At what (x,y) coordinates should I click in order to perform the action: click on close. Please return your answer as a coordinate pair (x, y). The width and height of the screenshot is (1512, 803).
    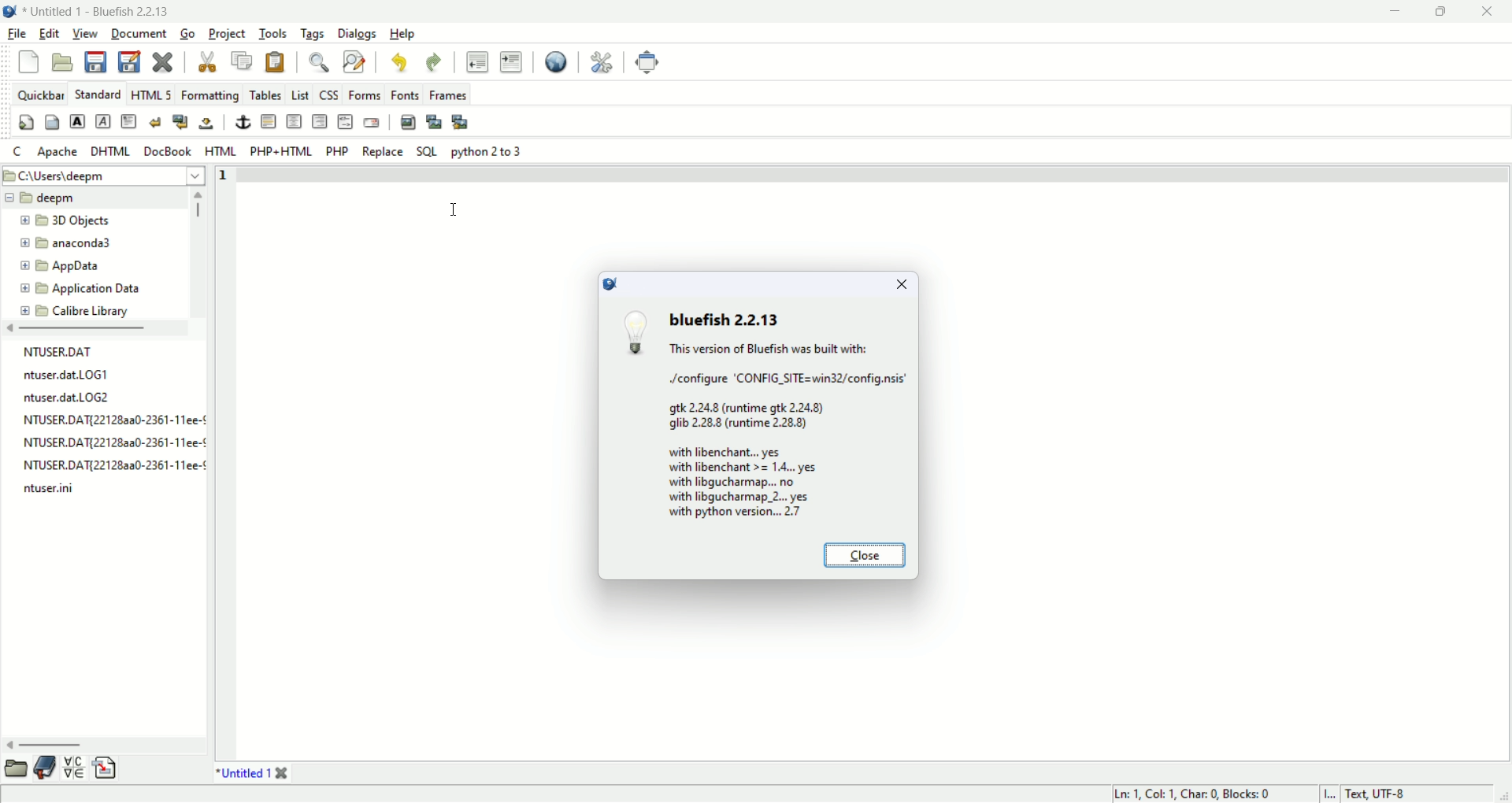
    Looking at the image, I should click on (898, 286).